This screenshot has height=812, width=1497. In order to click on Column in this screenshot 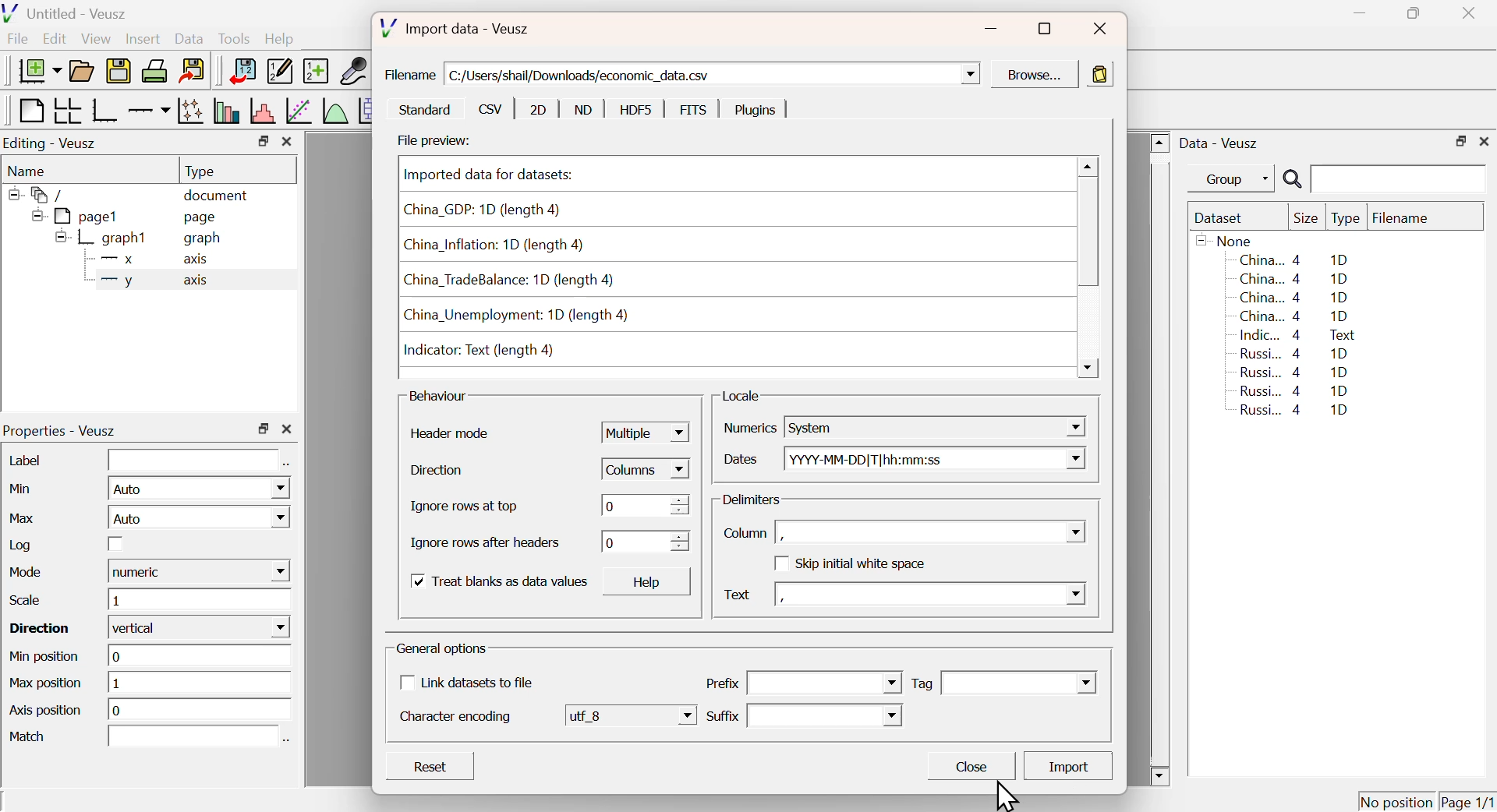, I will do `click(744, 531)`.